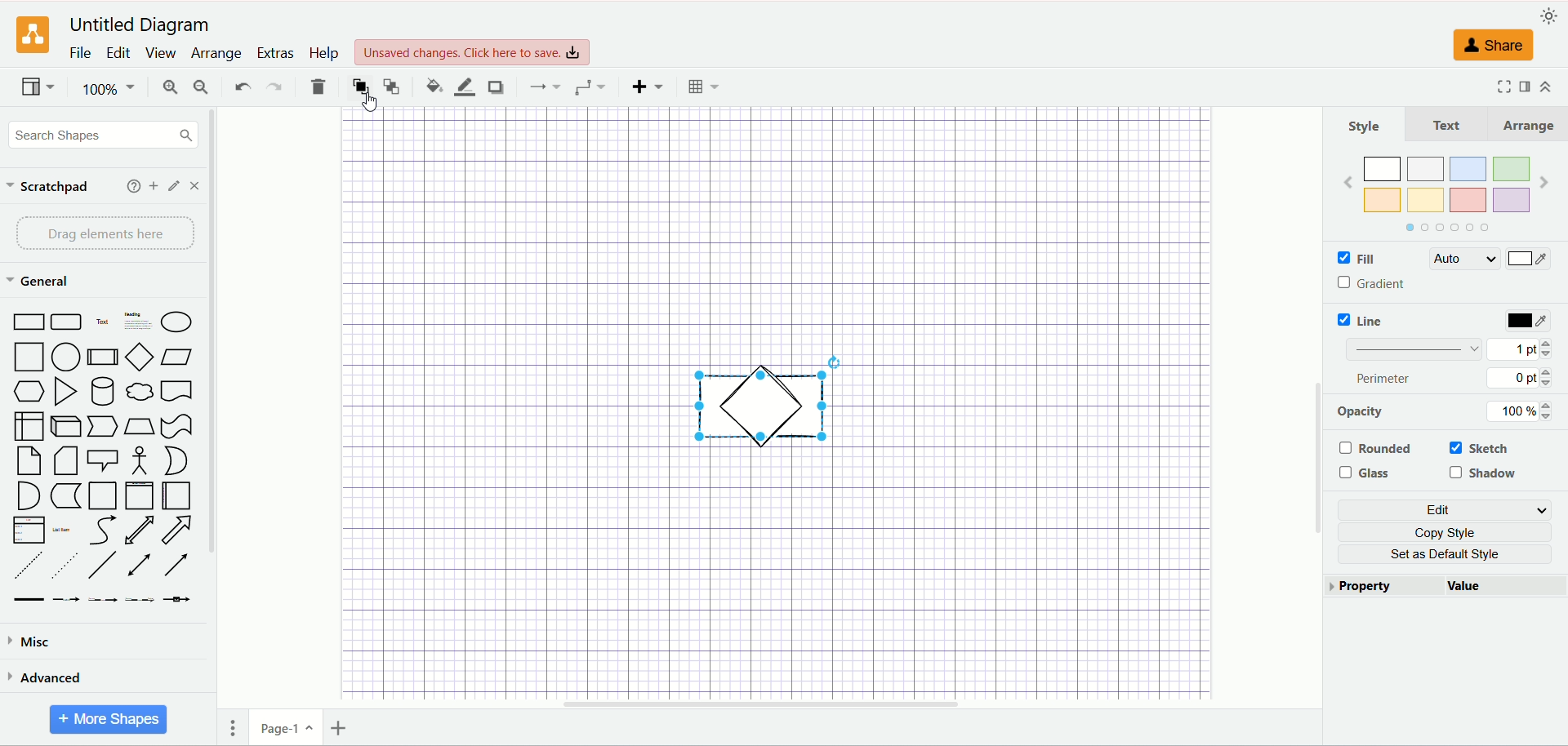 The height and width of the screenshot is (746, 1568). Describe the element at coordinates (702, 87) in the screenshot. I see `Table` at that location.